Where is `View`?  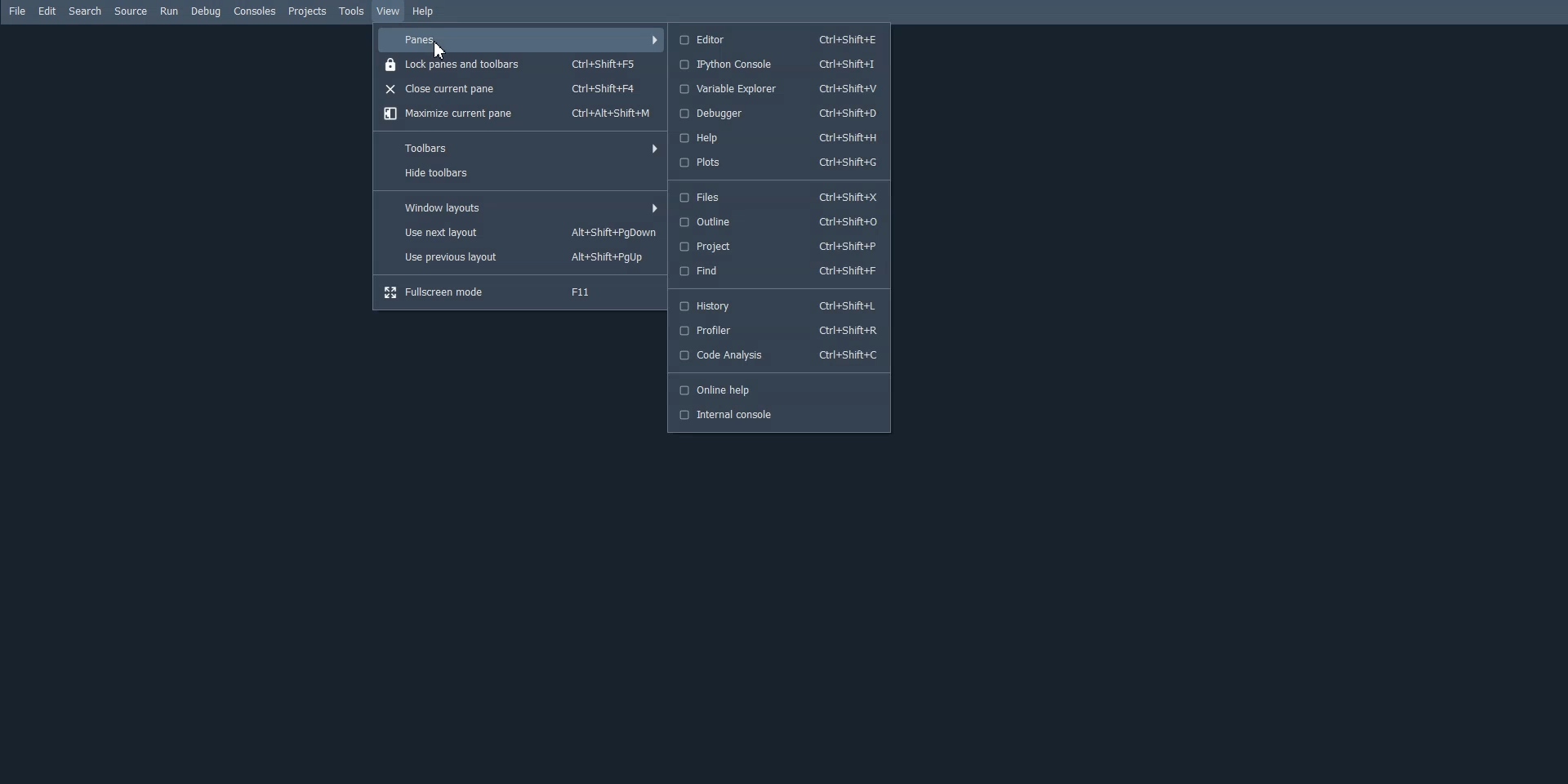
View is located at coordinates (389, 11).